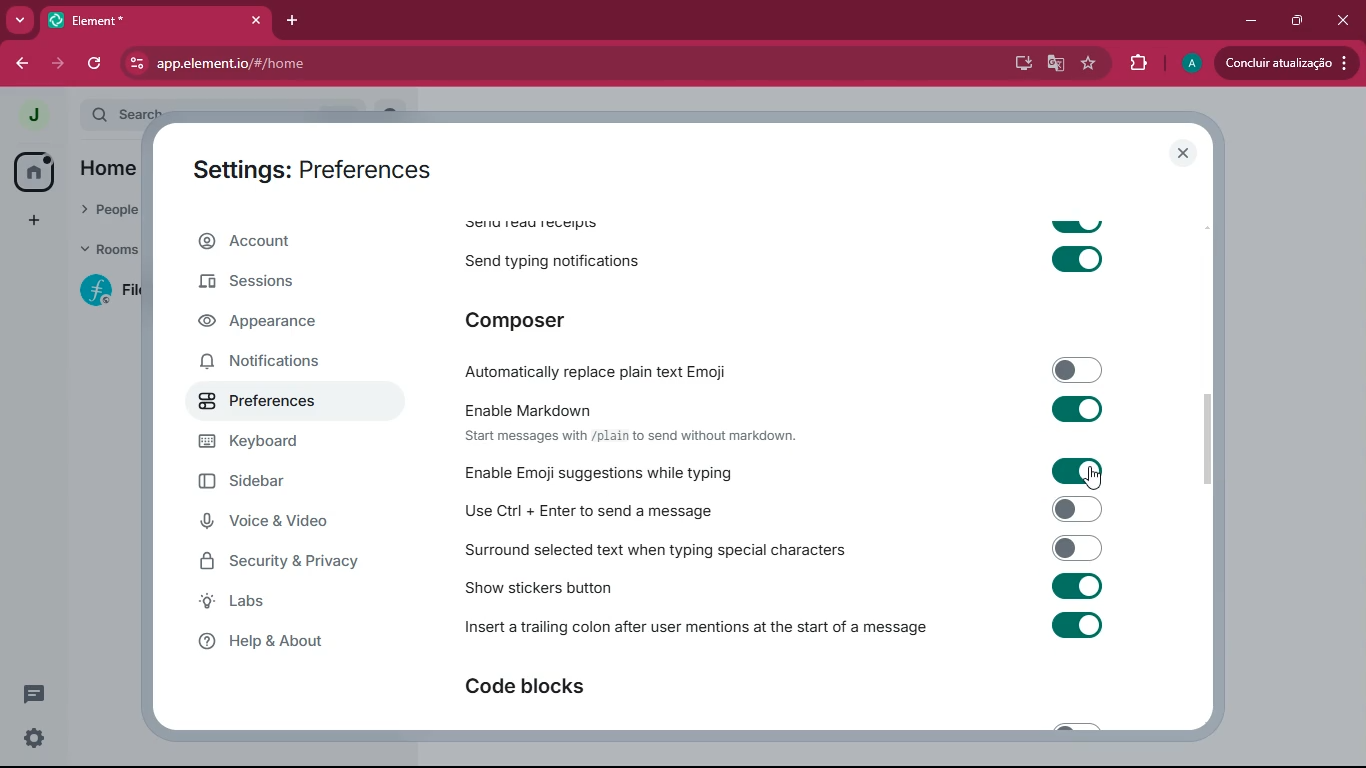  Describe the element at coordinates (16, 21) in the screenshot. I see `more` at that location.